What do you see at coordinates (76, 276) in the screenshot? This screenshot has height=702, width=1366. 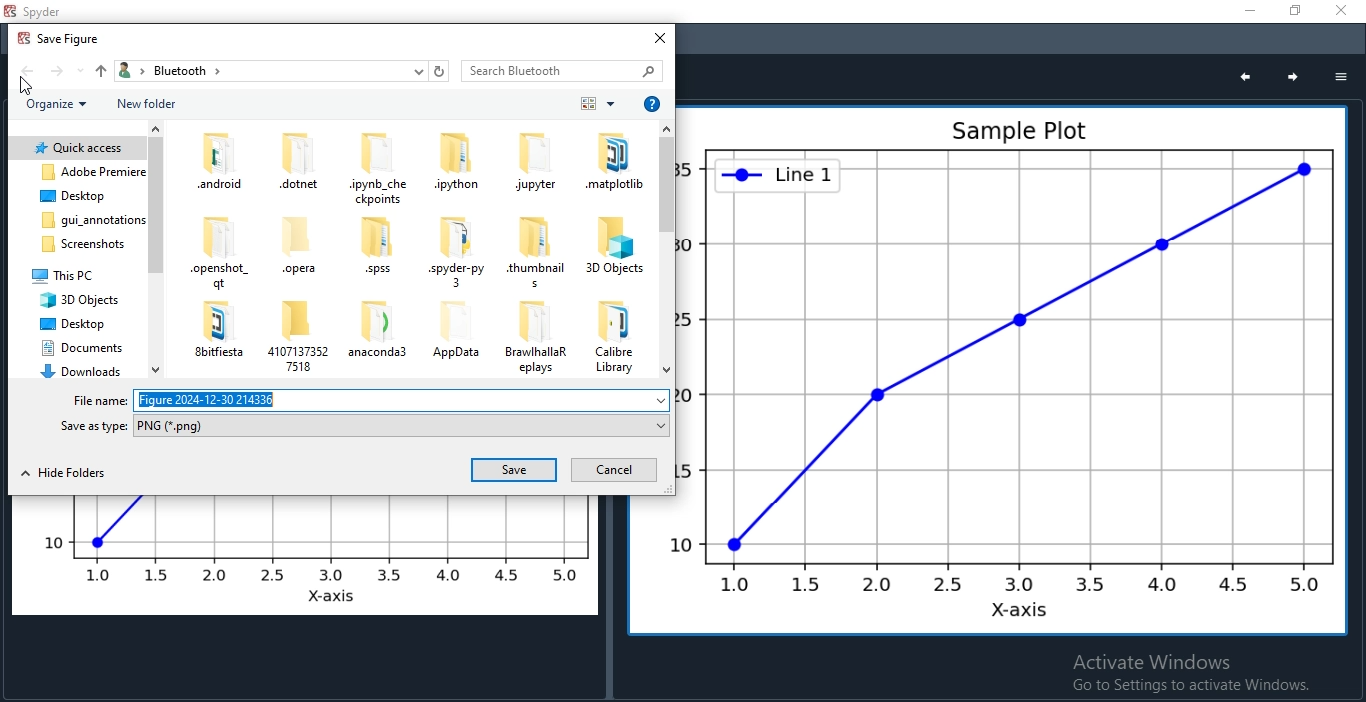 I see `folder 6` at bounding box center [76, 276].